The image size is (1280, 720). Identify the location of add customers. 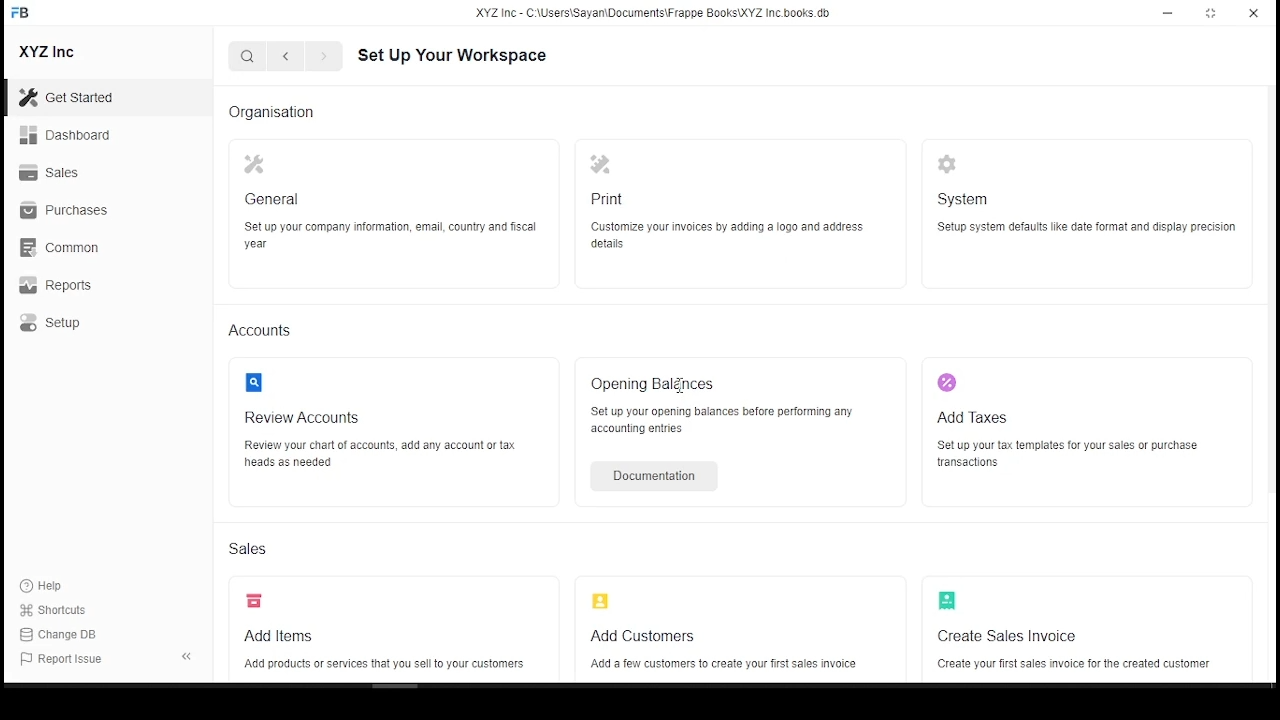
(646, 636).